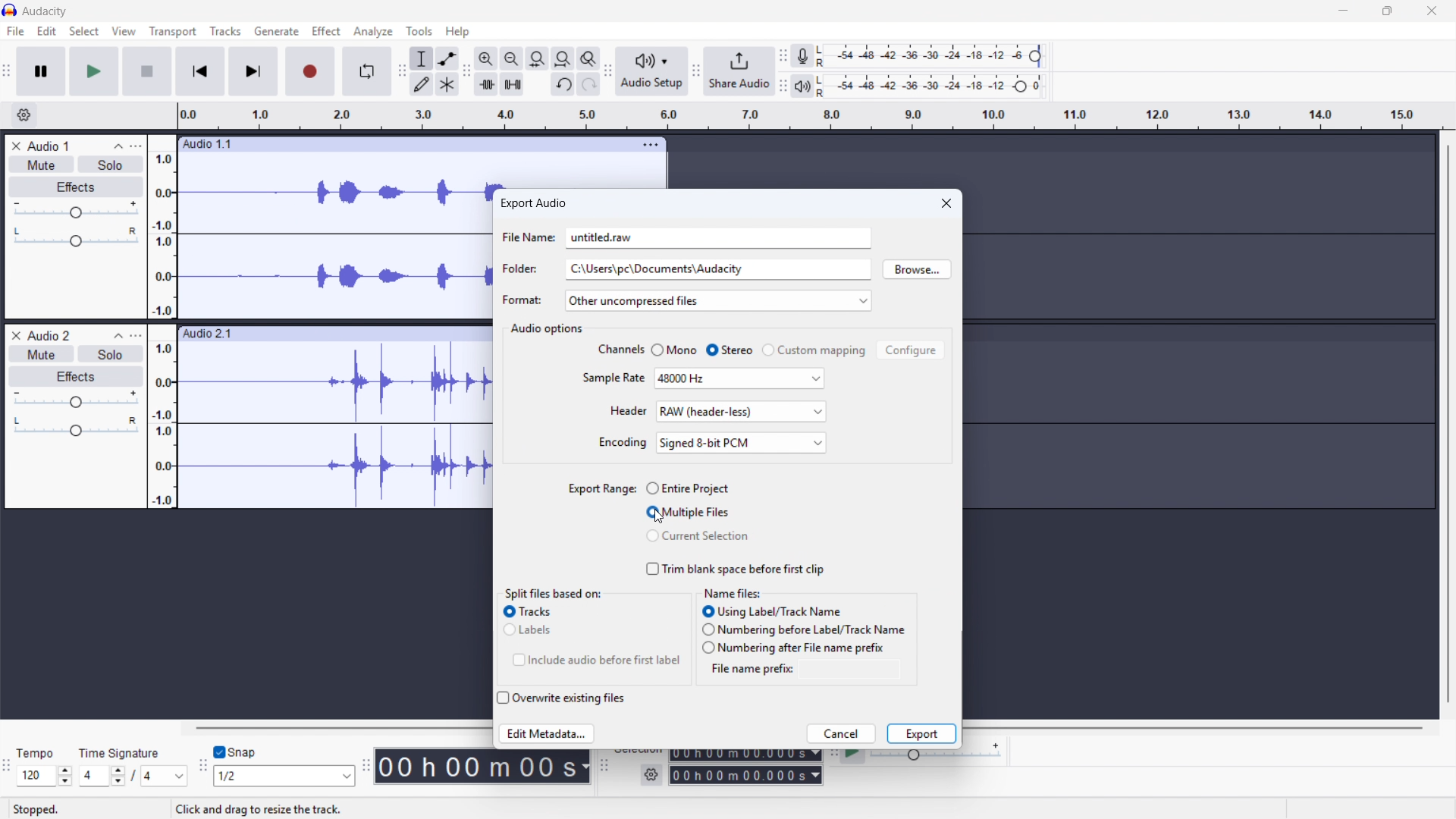 The width and height of the screenshot is (1456, 819). What do you see at coordinates (528, 237) in the screenshot?
I see `file name` at bounding box center [528, 237].